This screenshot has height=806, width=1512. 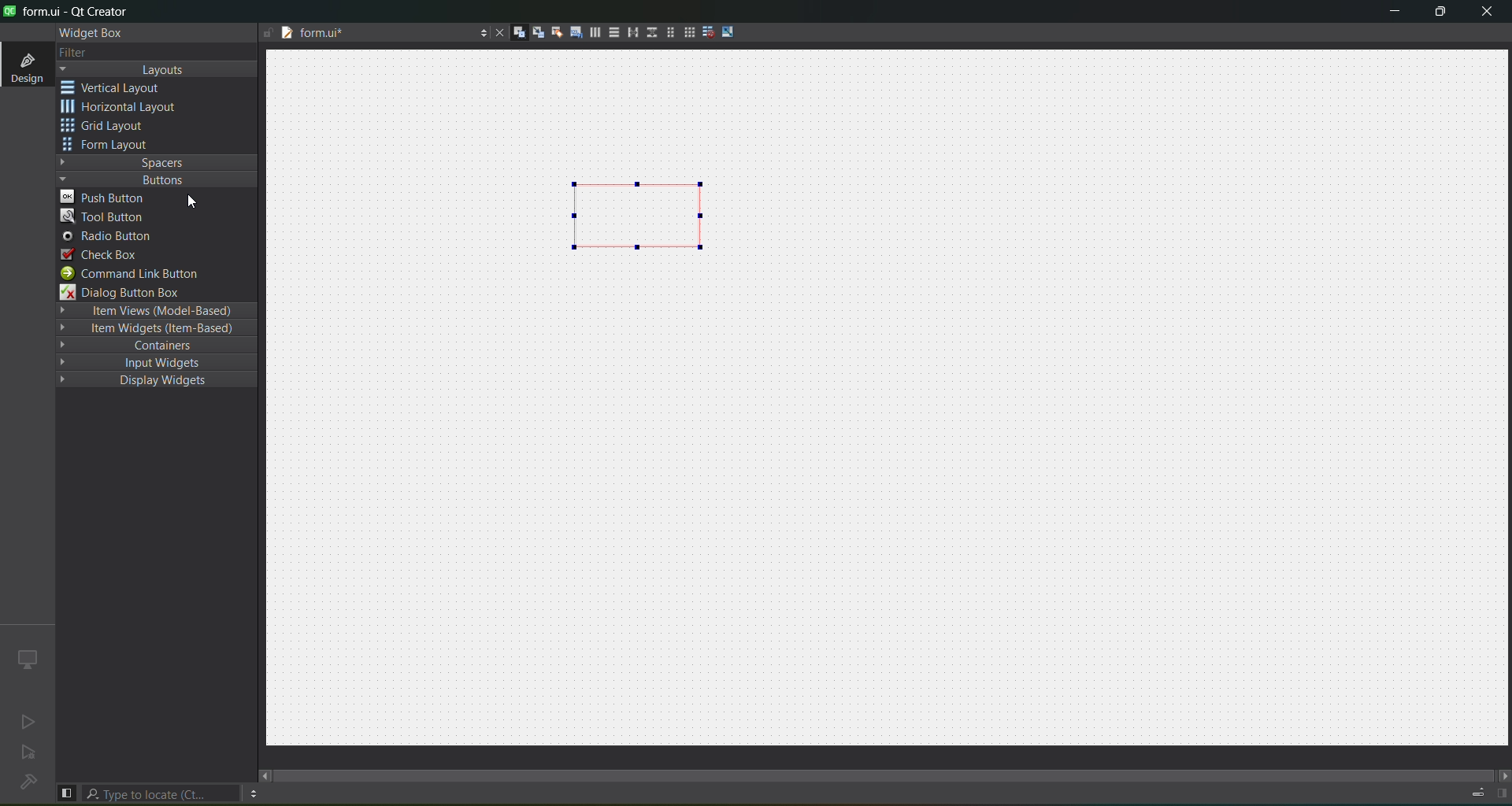 I want to click on edit signals, so click(x=538, y=35).